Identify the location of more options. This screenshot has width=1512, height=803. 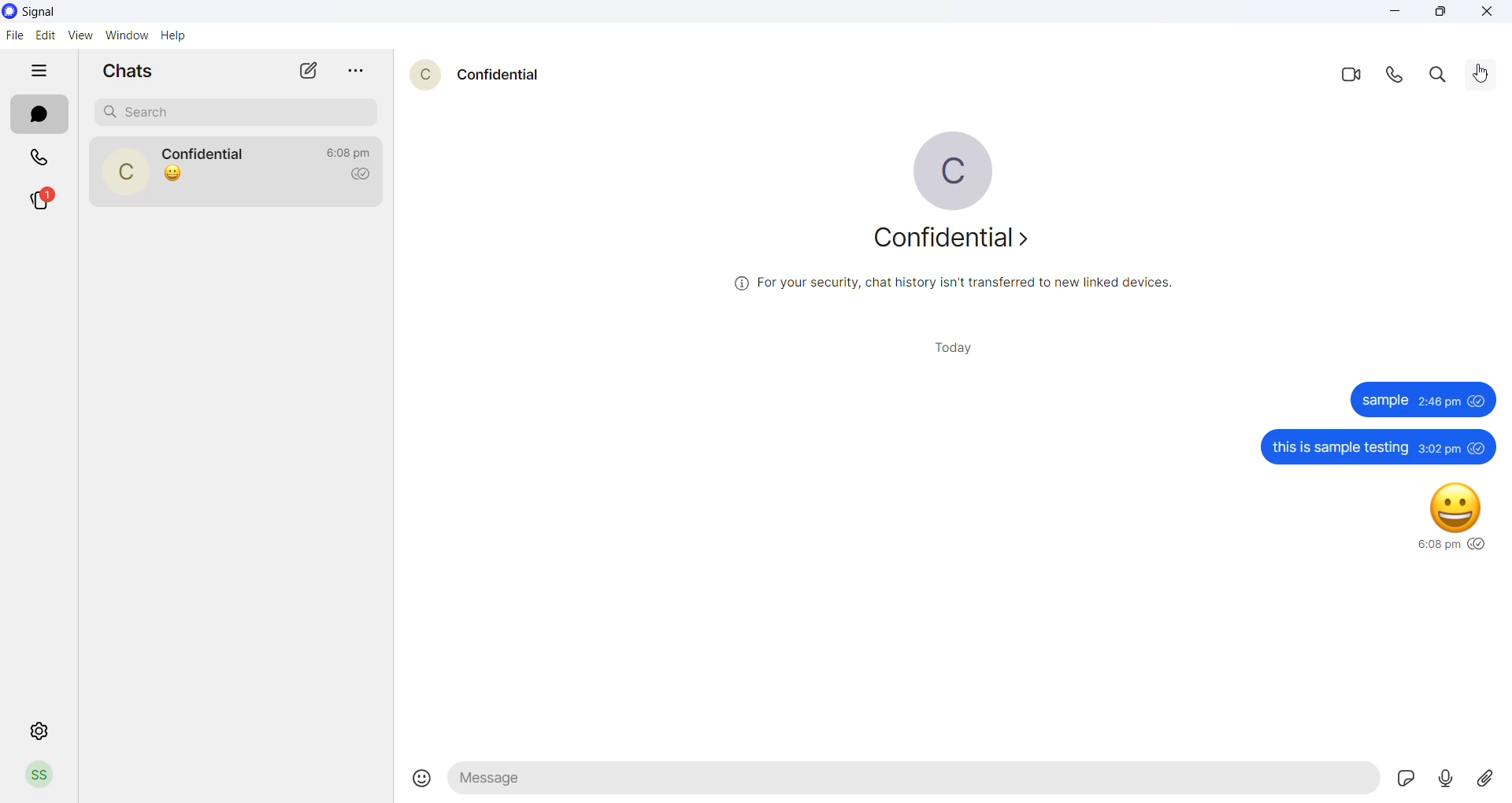
(1484, 77).